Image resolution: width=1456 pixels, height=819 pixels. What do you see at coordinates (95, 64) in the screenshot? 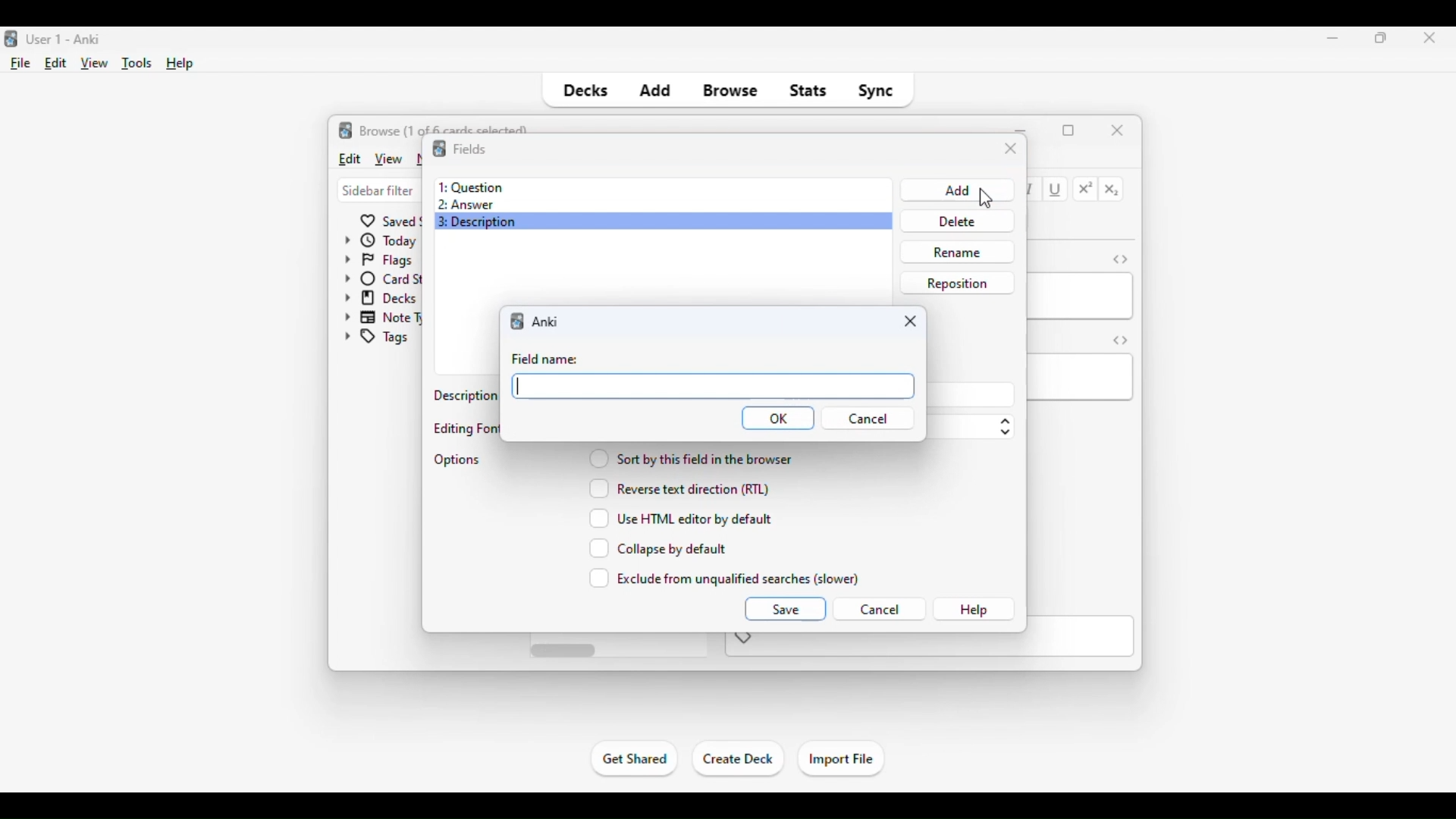
I see `view` at bounding box center [95, 64].